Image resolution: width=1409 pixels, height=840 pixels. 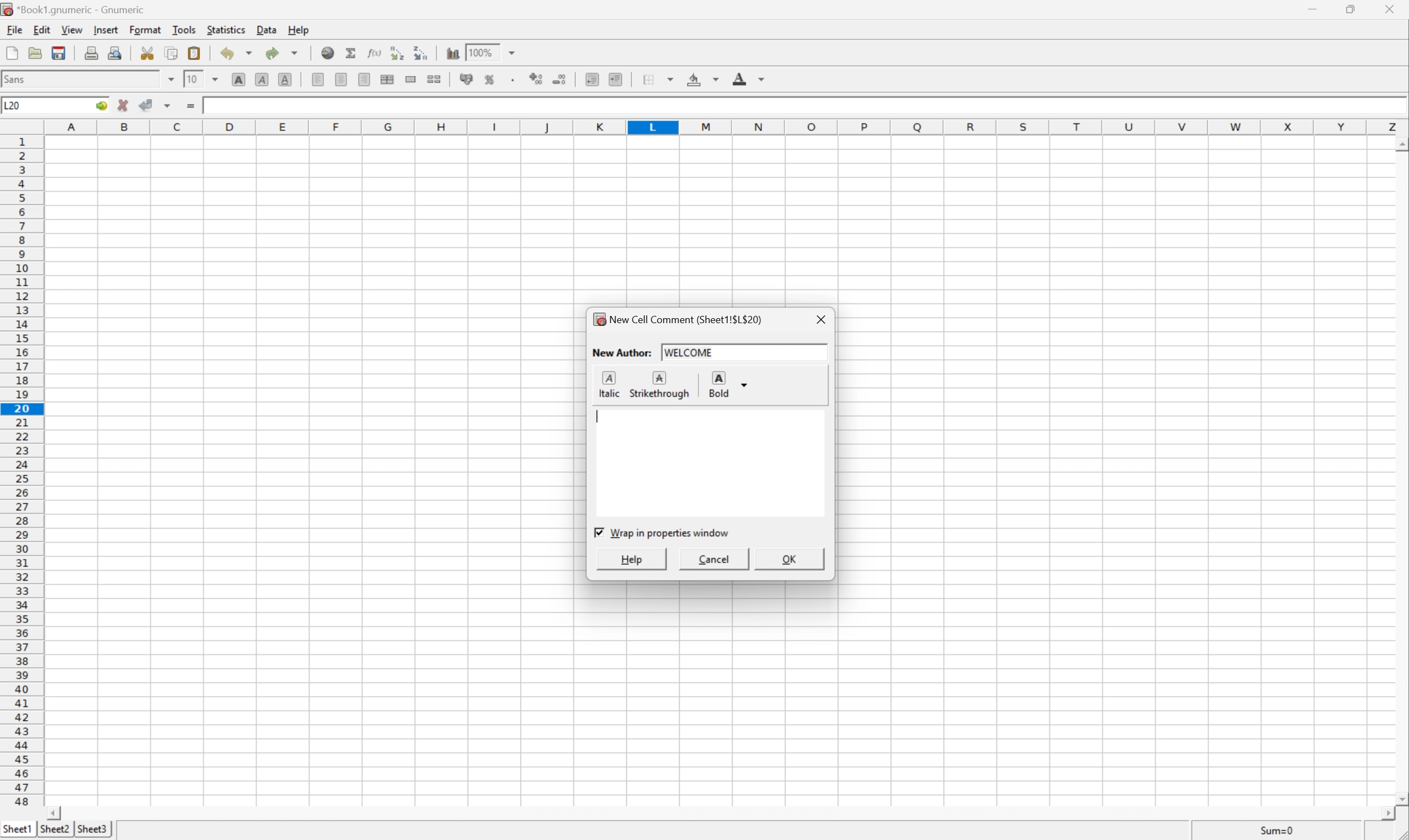 What do you see at coordinates (411, 80) in the screenshot?
I see `Merge a range of cells` at bounding box center [411, 80].